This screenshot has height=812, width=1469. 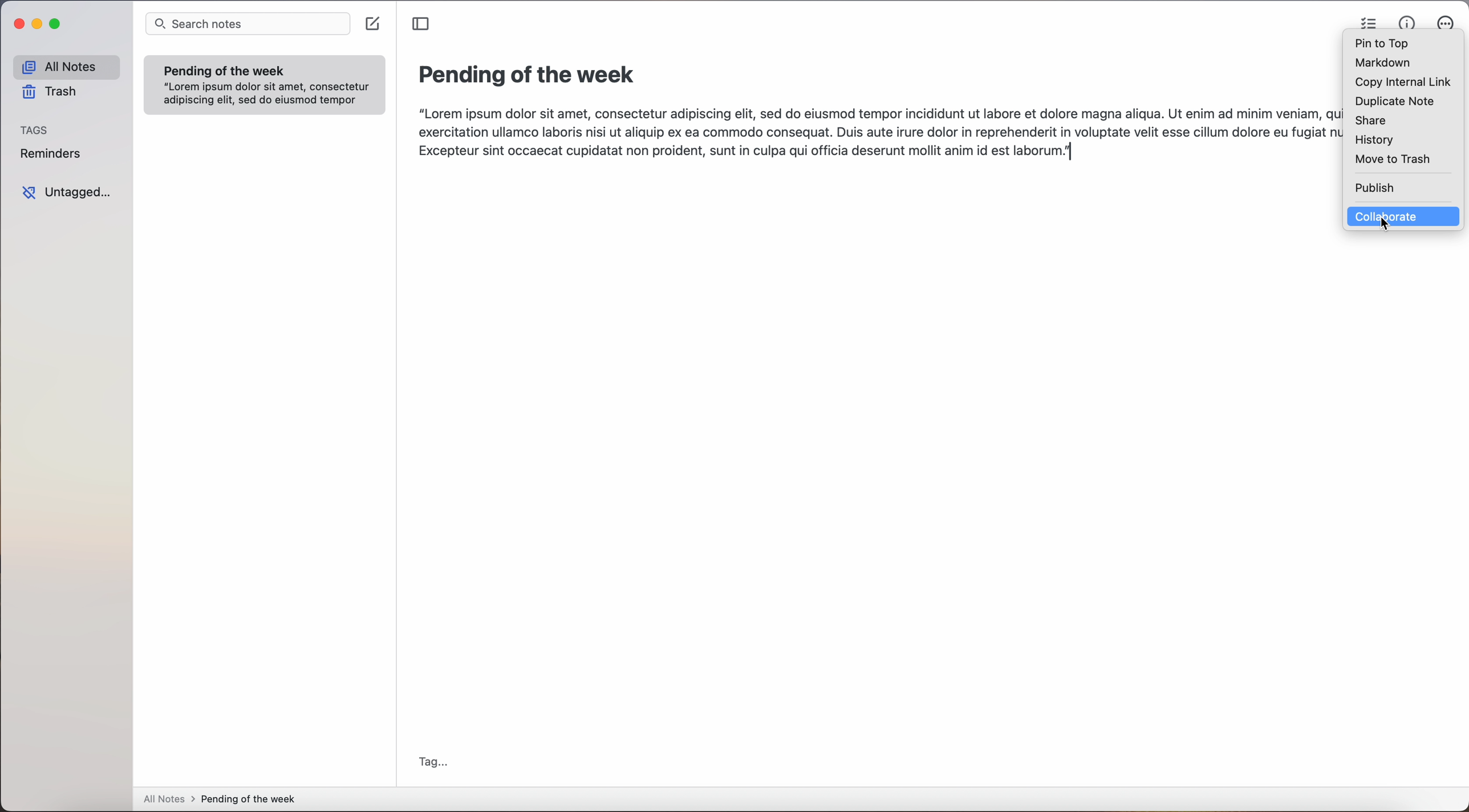 What do you see at coordinates (66, 66) in the screenshot?
I see `all notes` at bounding box center [66, 66].